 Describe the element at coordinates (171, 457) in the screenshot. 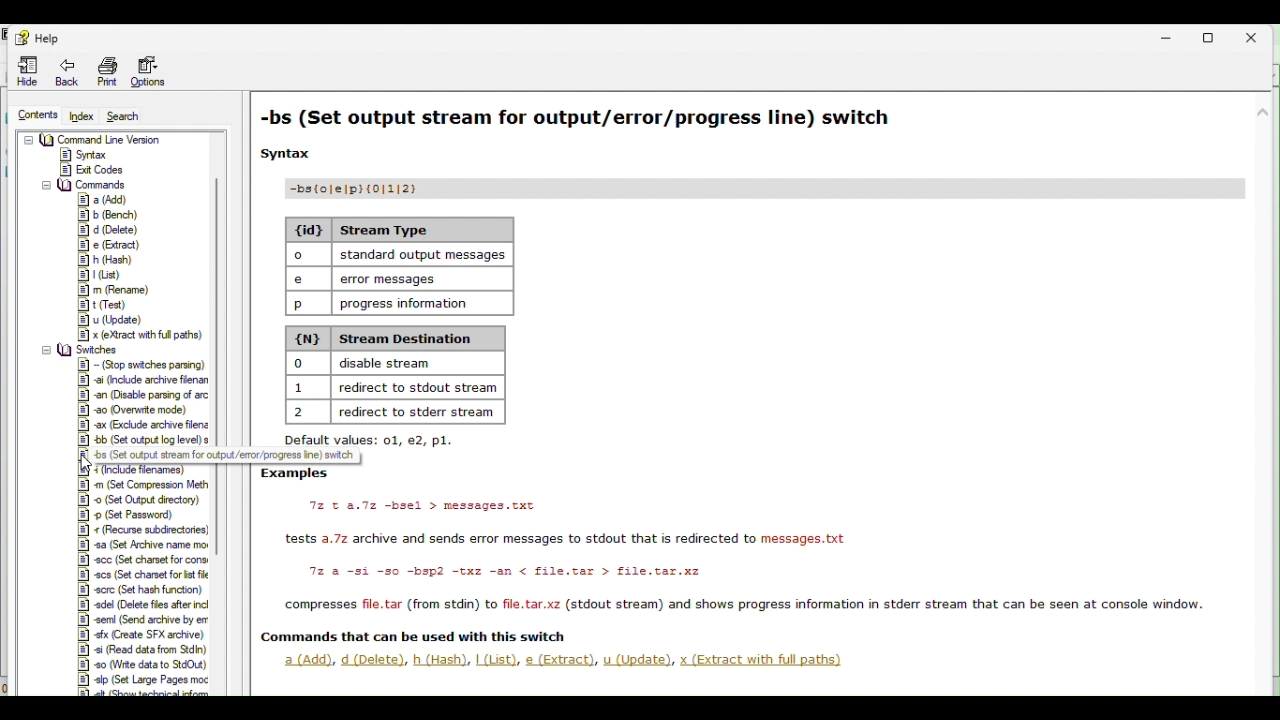

I see `tooltip` at that location.